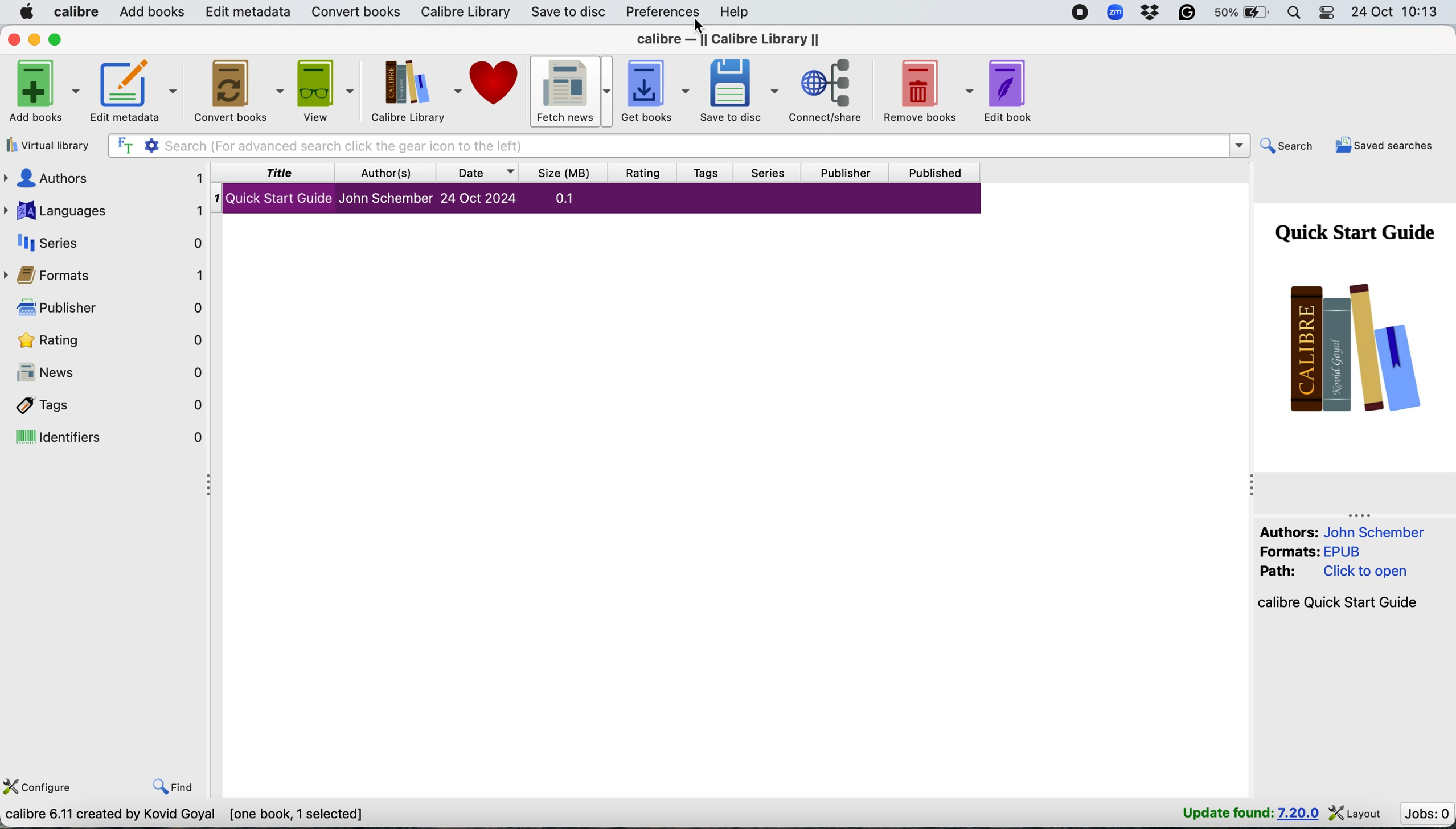 This screenshot has width=1456, height=829. I want to click on zoom, so click(1114, 13).